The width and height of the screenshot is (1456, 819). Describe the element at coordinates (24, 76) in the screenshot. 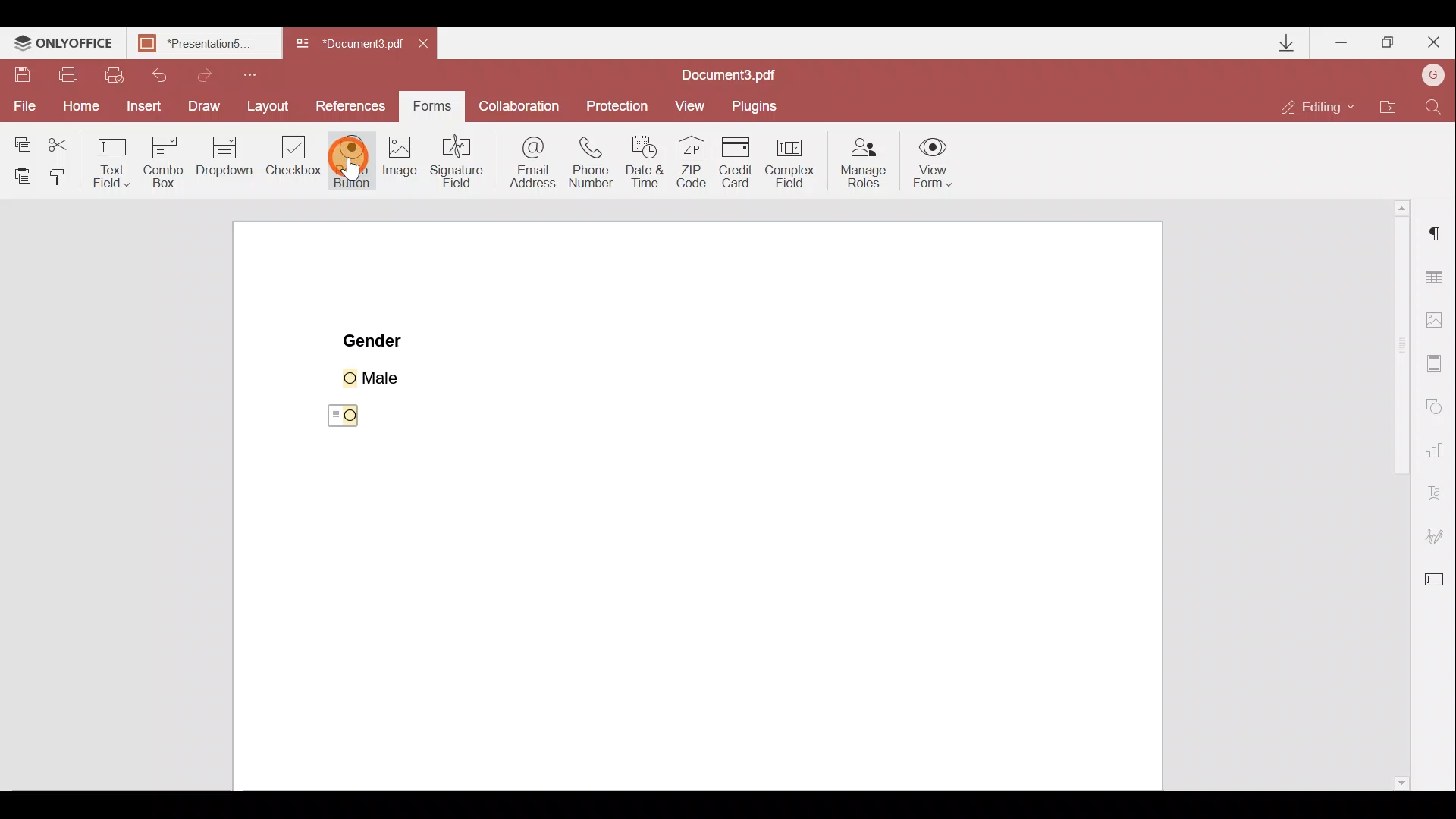

I see `Save` at that location.